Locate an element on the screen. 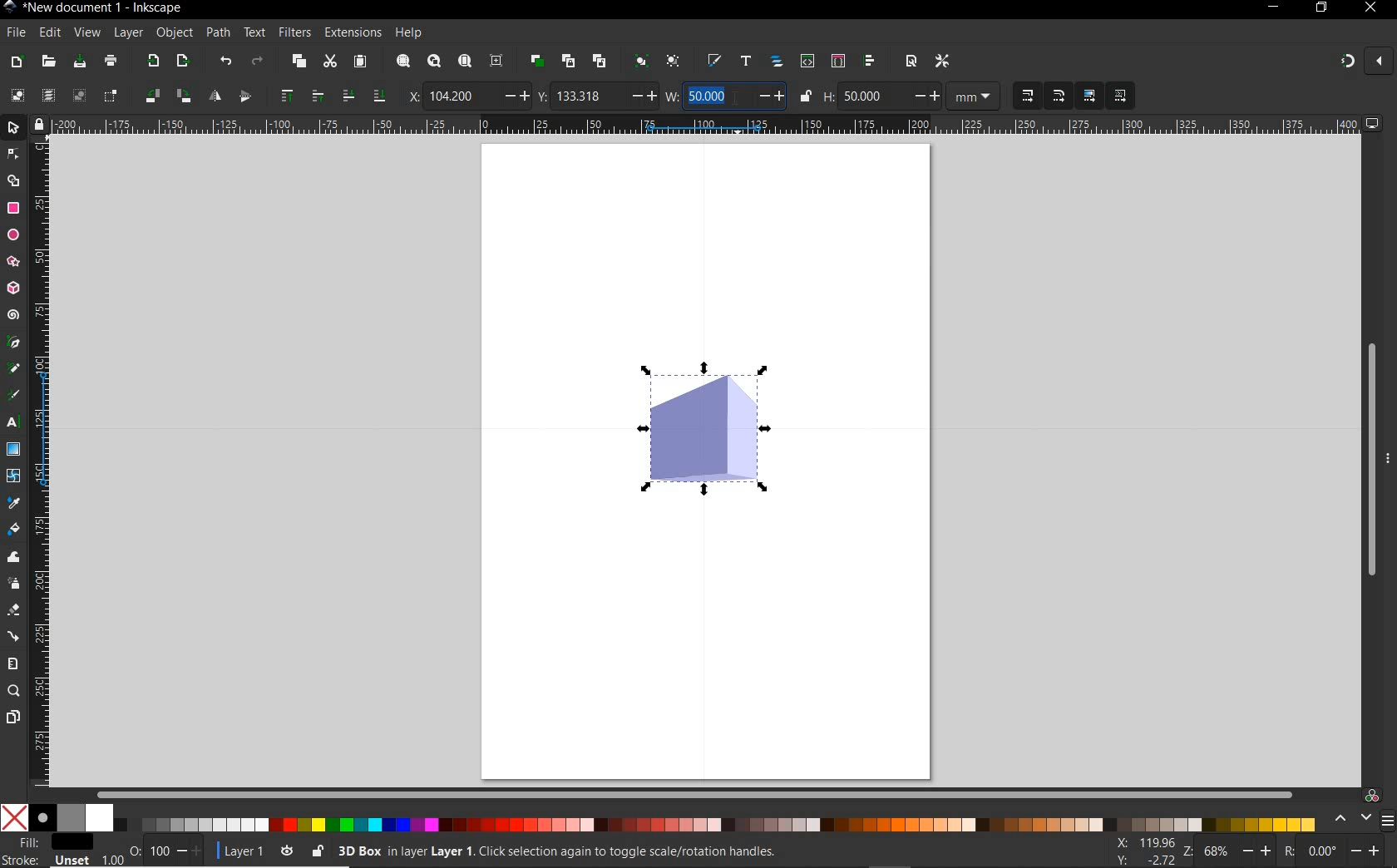  h is located at coordinates (828, 96).